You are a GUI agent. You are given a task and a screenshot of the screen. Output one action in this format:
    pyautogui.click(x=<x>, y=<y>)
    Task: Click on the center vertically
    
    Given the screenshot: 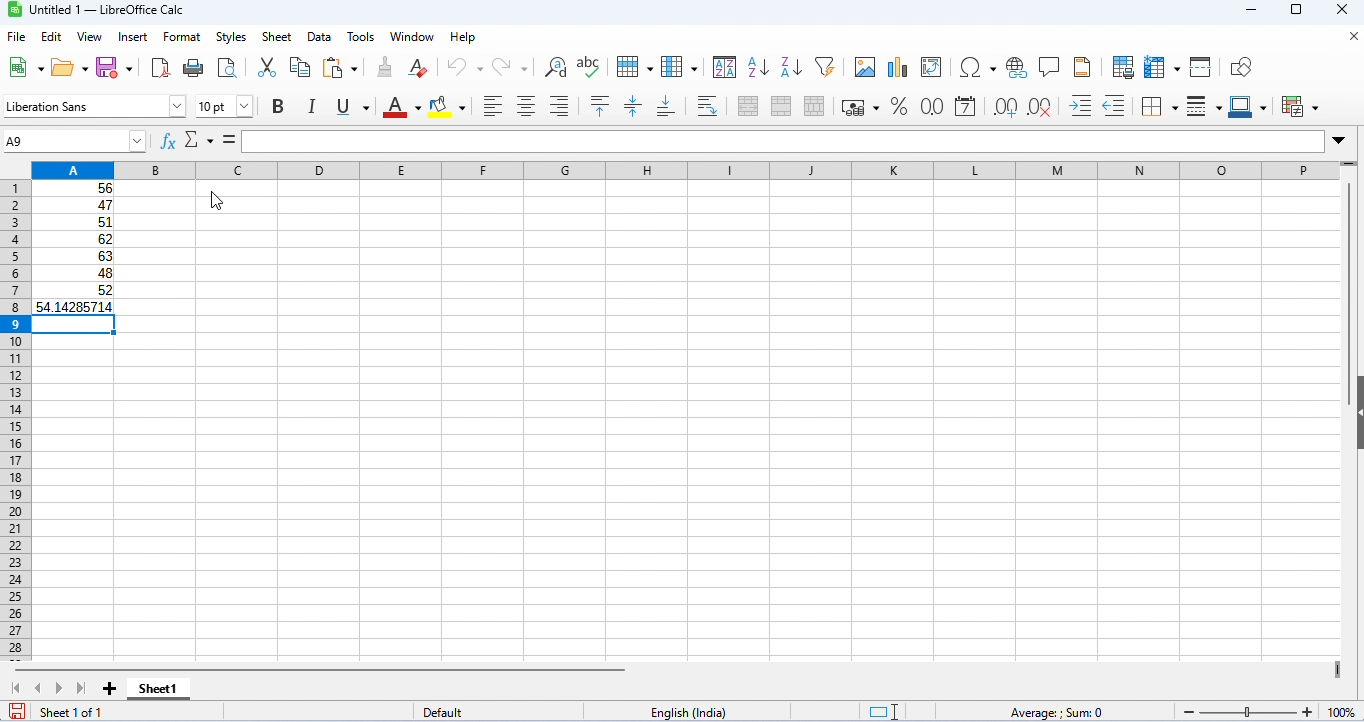 What is the action you would take?
    pyautogui.click(x=632, y=106)
    